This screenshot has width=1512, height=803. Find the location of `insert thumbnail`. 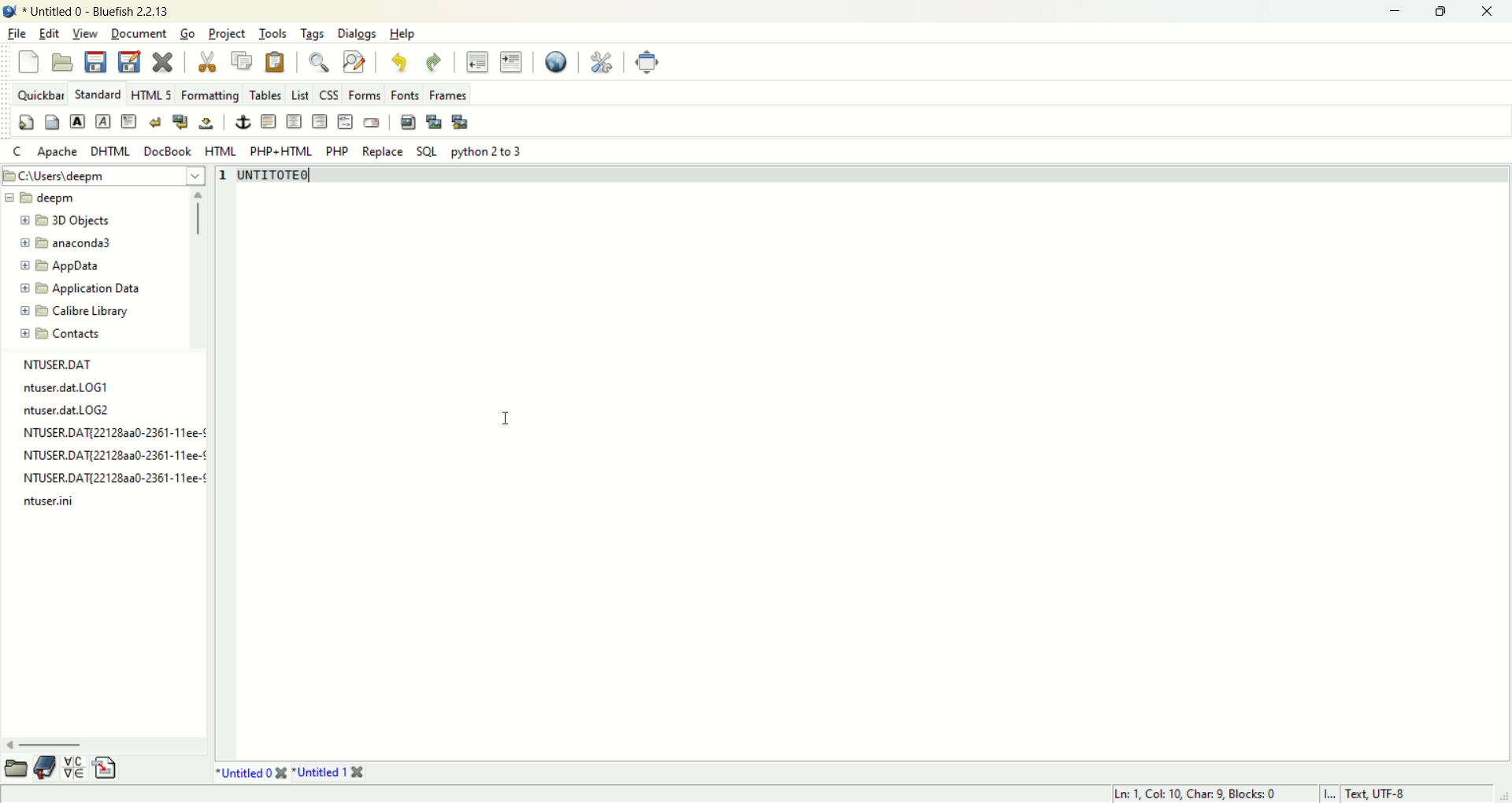

insert thumbnail is located at coordinates (435, 120).